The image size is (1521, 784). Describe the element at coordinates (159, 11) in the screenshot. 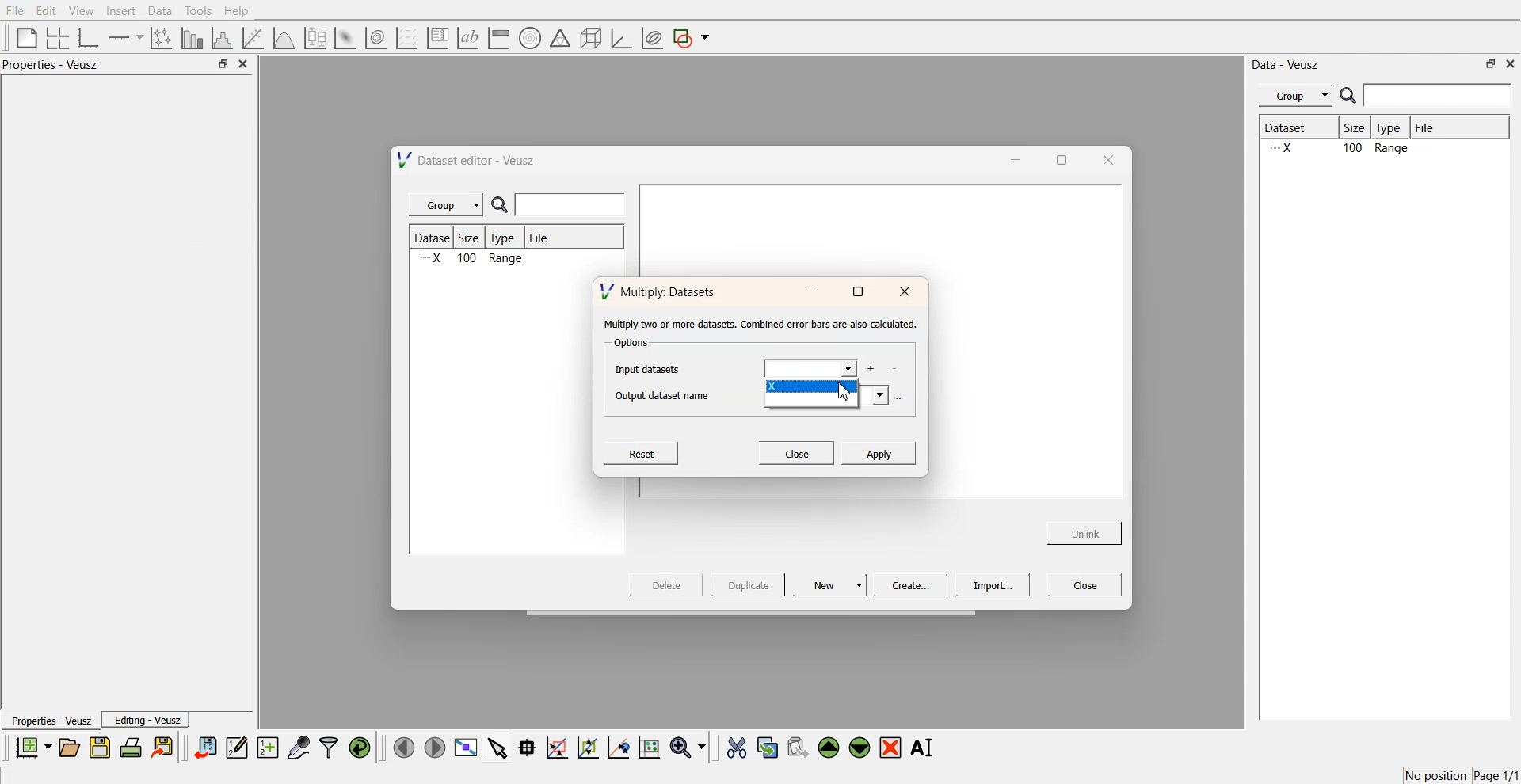

I see `Data` at that location.